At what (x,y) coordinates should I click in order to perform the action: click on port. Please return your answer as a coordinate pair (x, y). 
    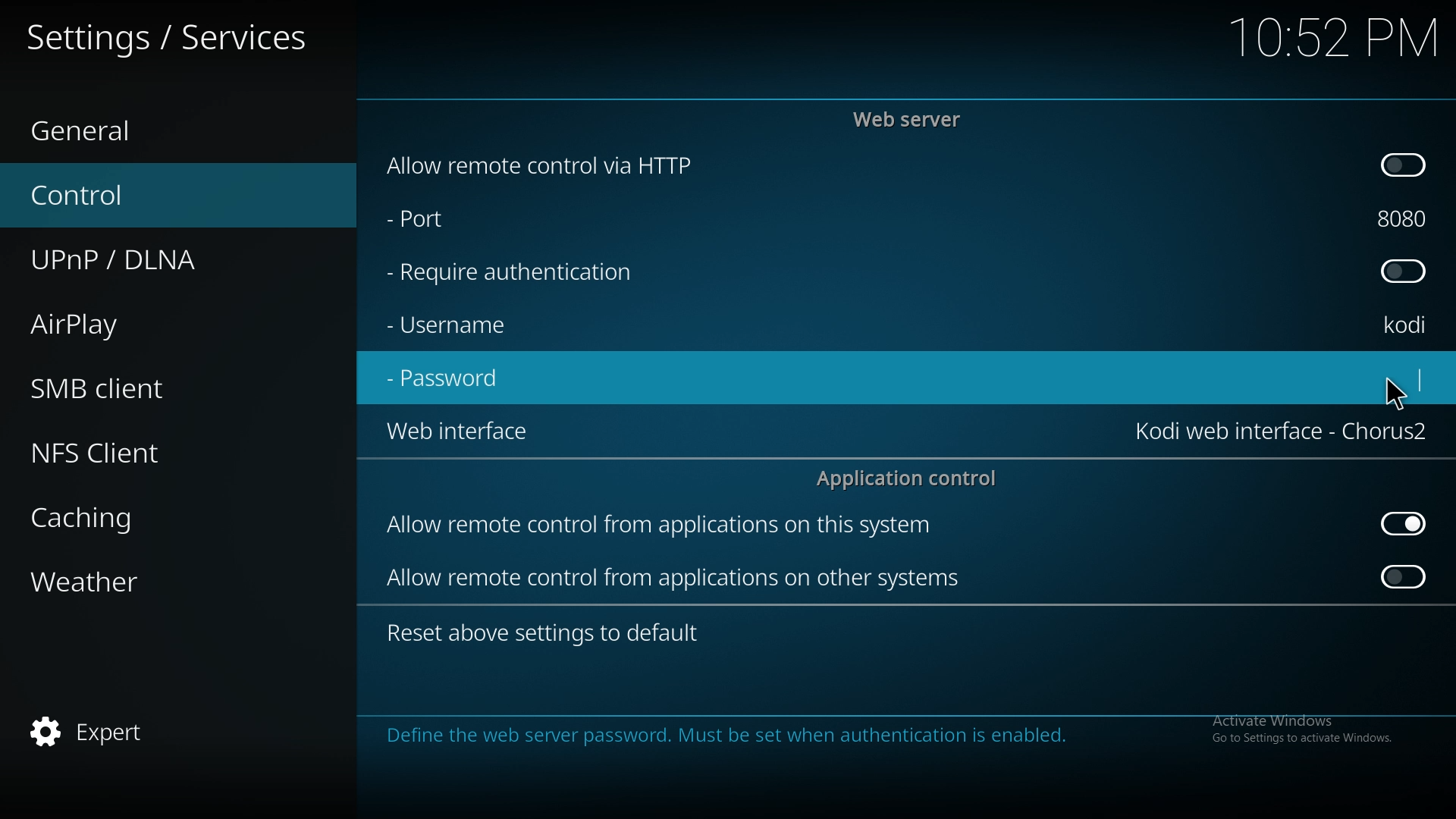
    Looking at the image, I should click on (453, 221).